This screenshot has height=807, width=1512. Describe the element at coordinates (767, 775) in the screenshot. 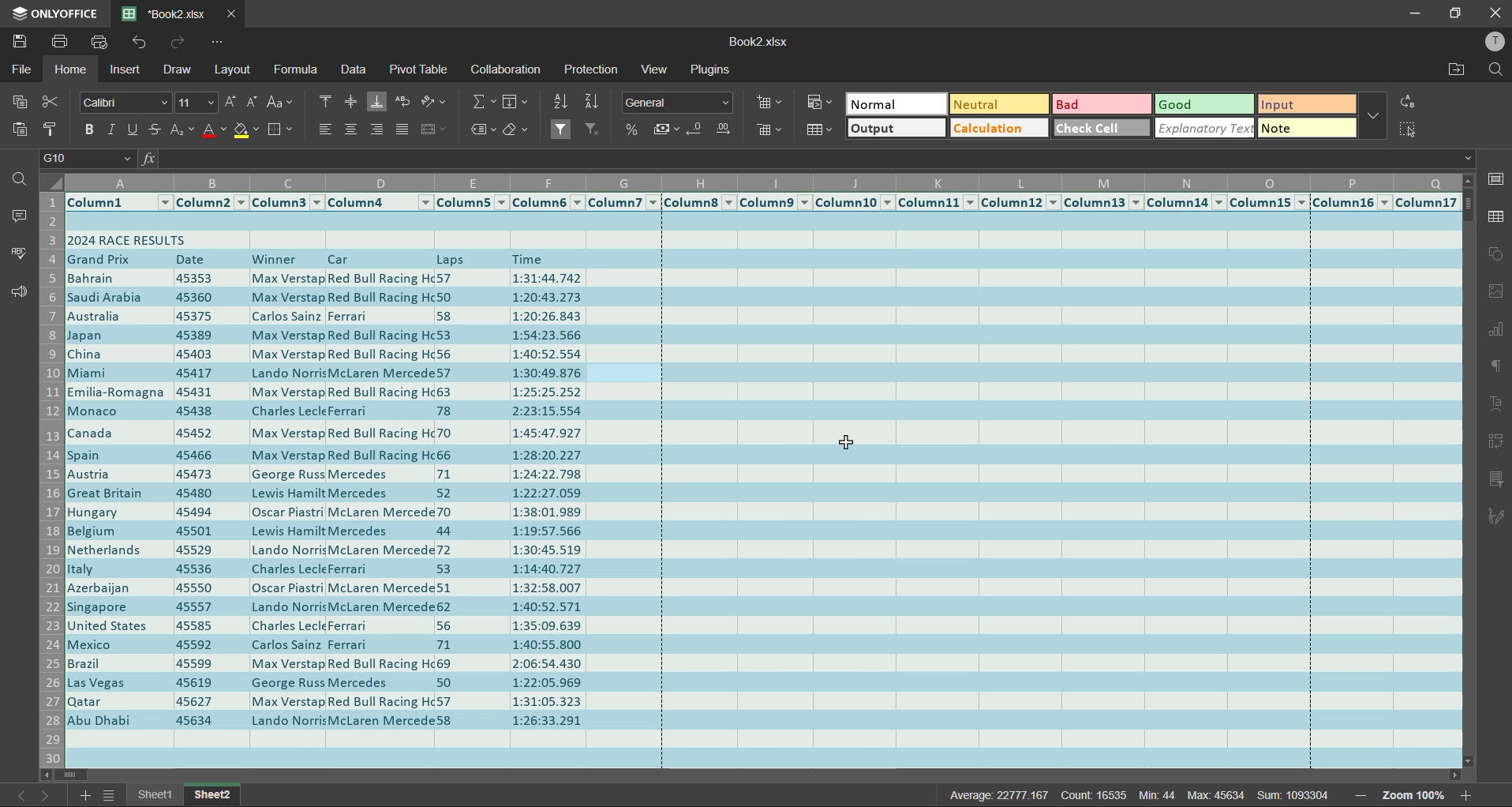

I see `scrollbar` at that location.